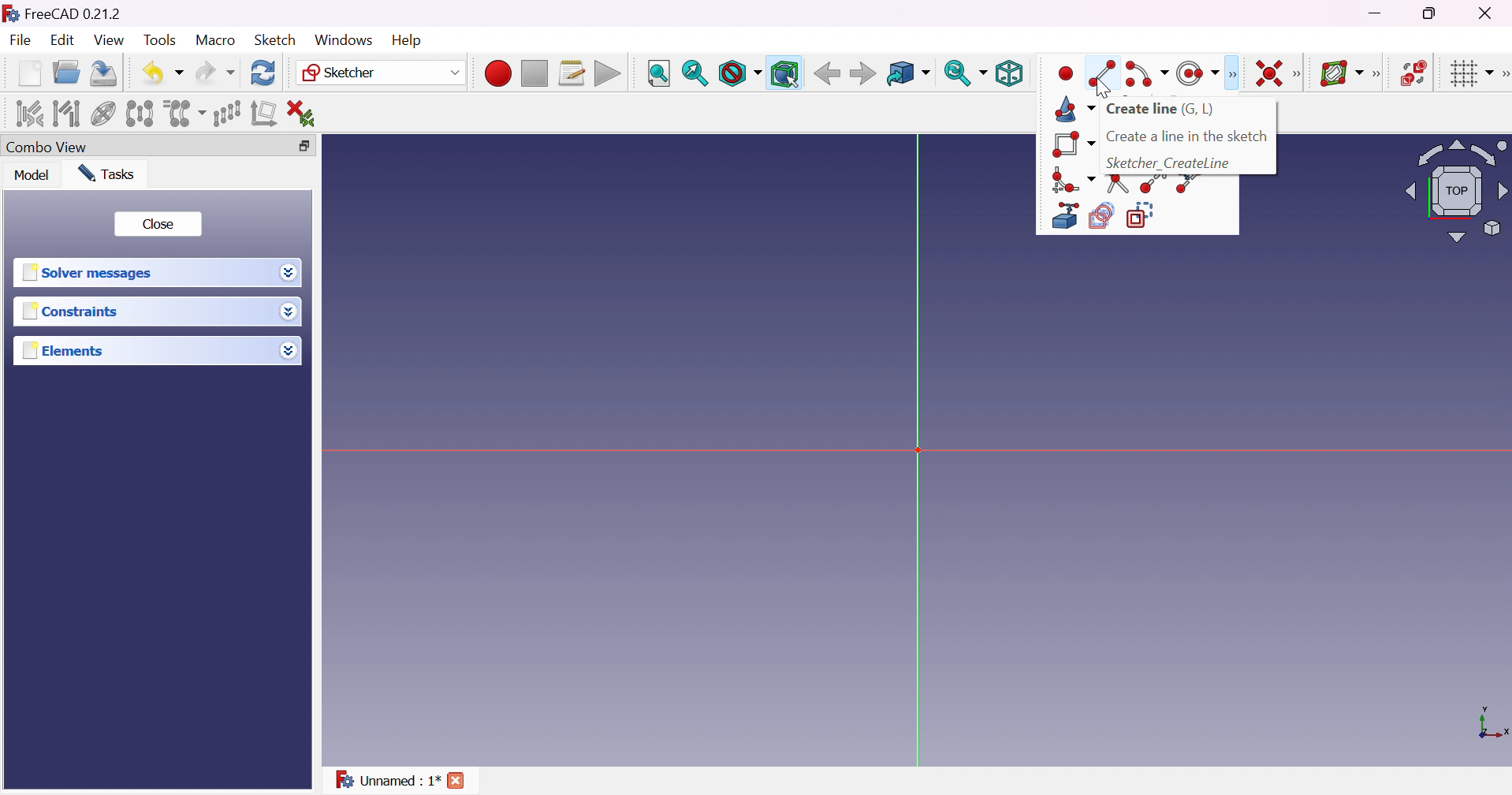 The image size is (1512, 795). Describe the element at coordinates (70, 313) in the screenshot. I see `Constraints` at that location.